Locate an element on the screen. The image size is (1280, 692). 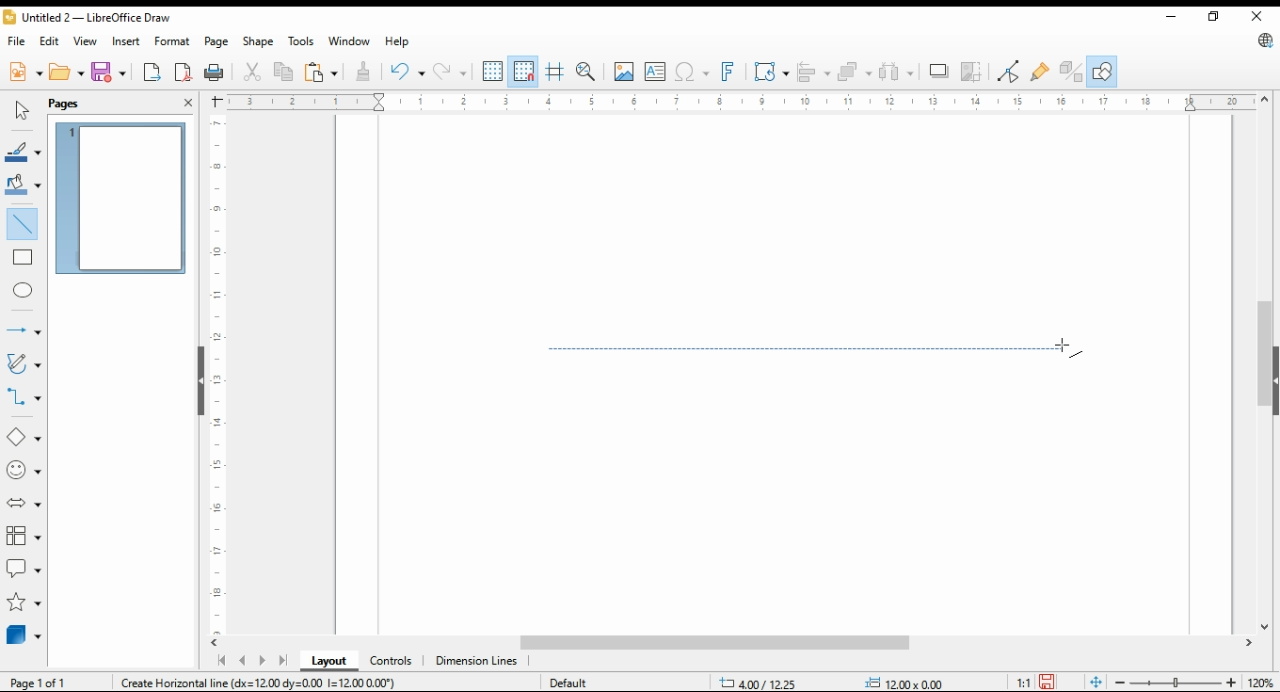
show gluepoint functions is located at coordinates (1038, 71).